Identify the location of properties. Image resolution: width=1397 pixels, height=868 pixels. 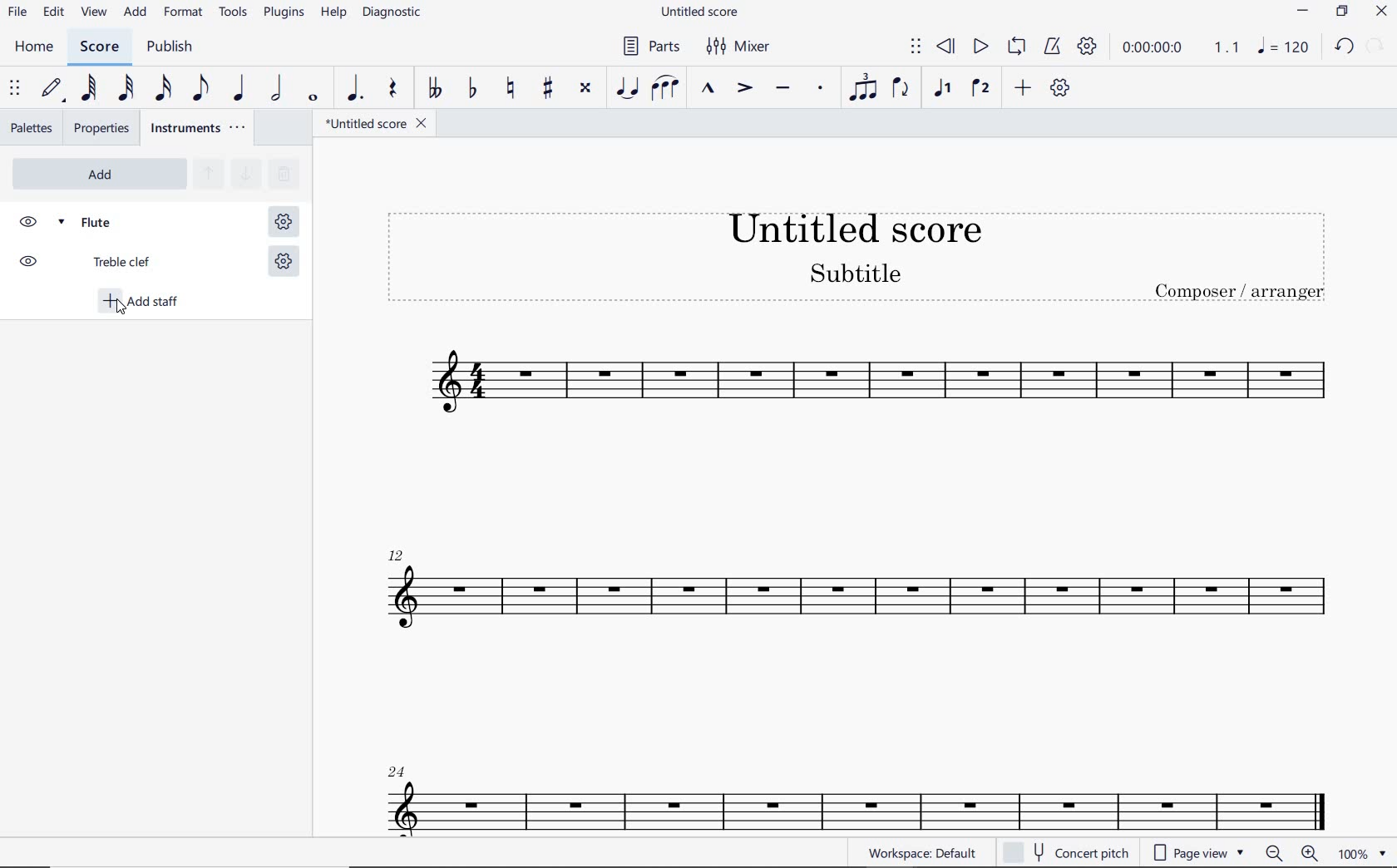
(101, 128).